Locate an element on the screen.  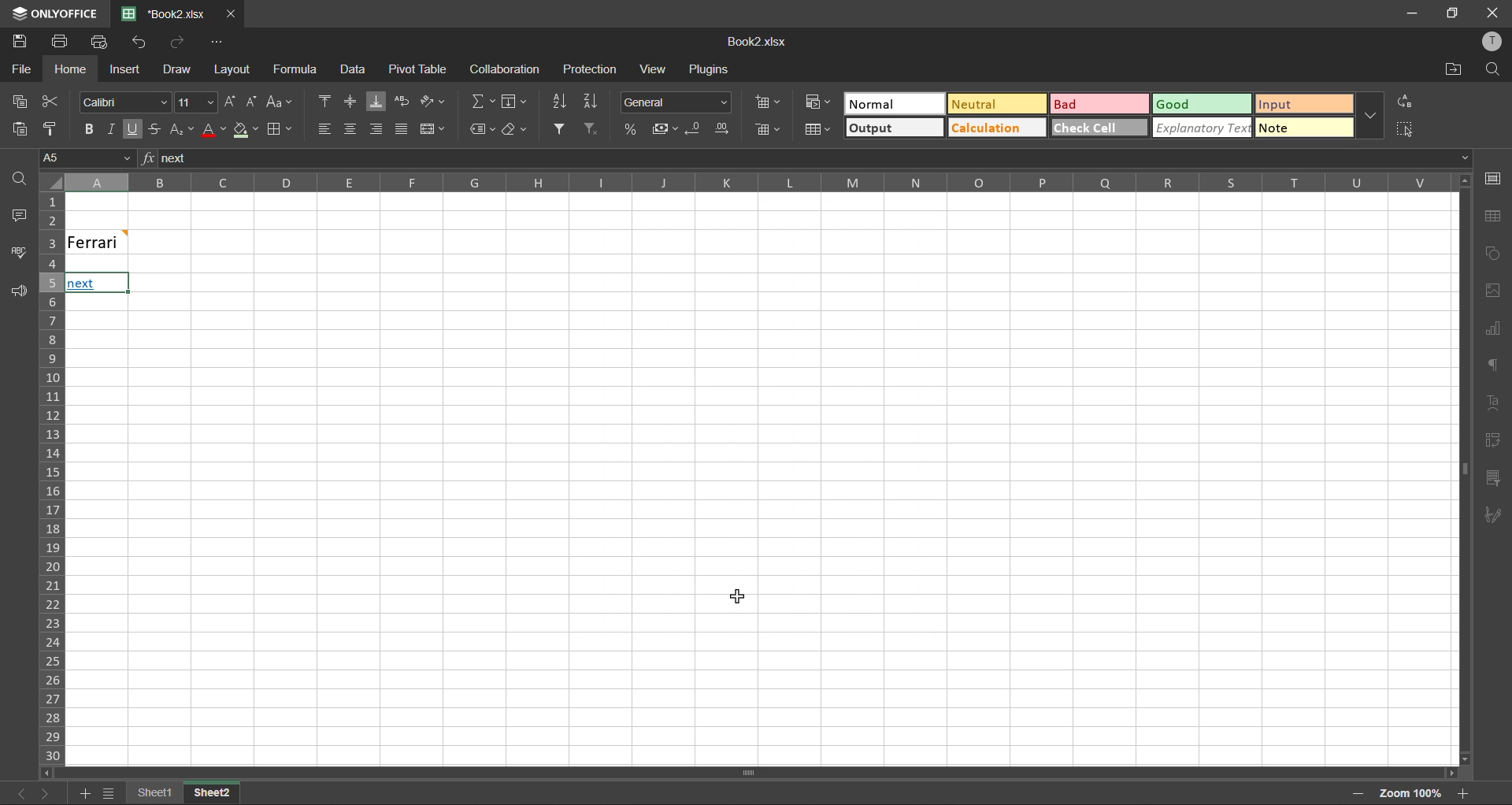
align top is located at coordinates (327, 102).